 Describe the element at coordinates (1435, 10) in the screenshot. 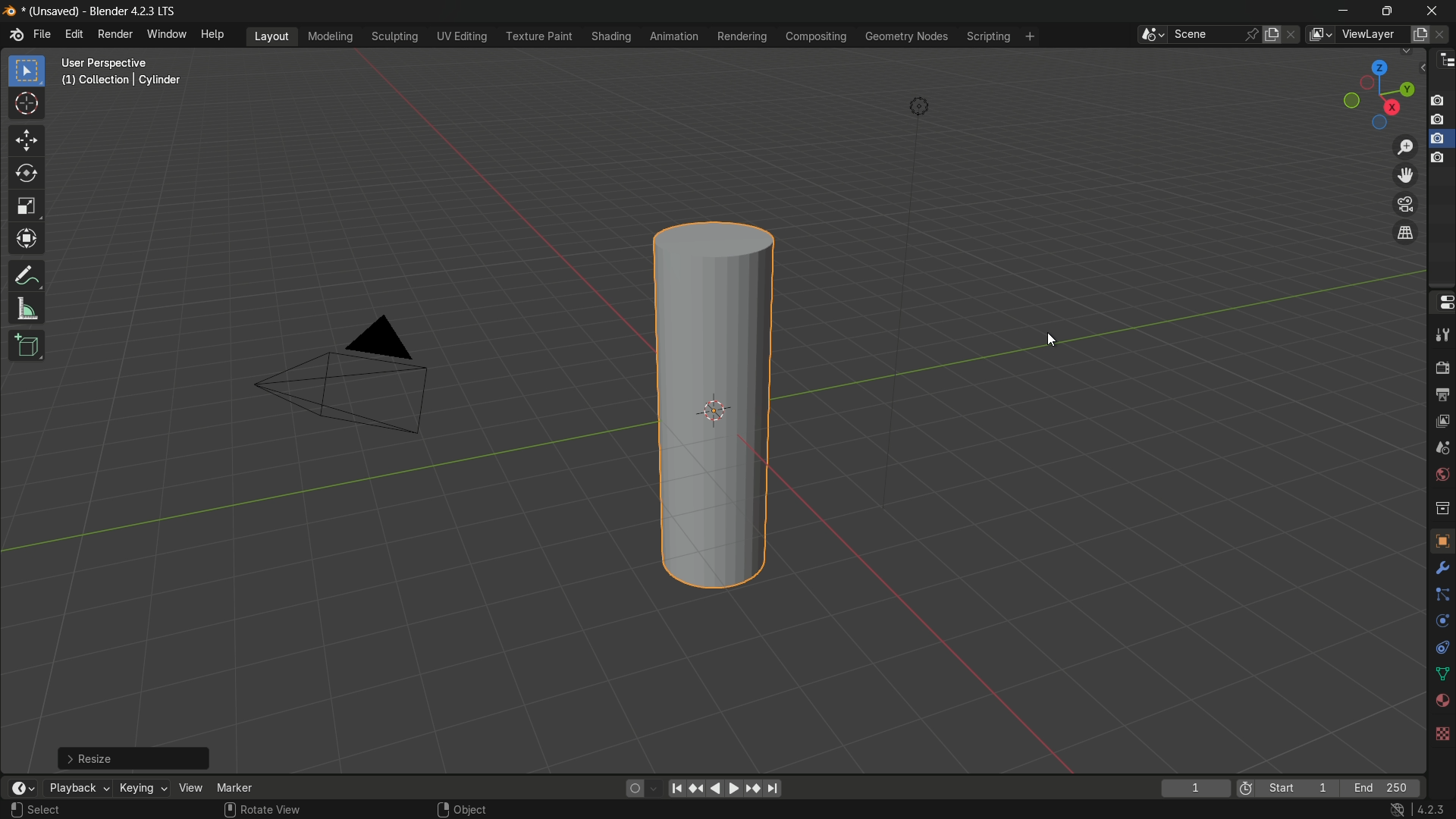

I see `close app` at that location.